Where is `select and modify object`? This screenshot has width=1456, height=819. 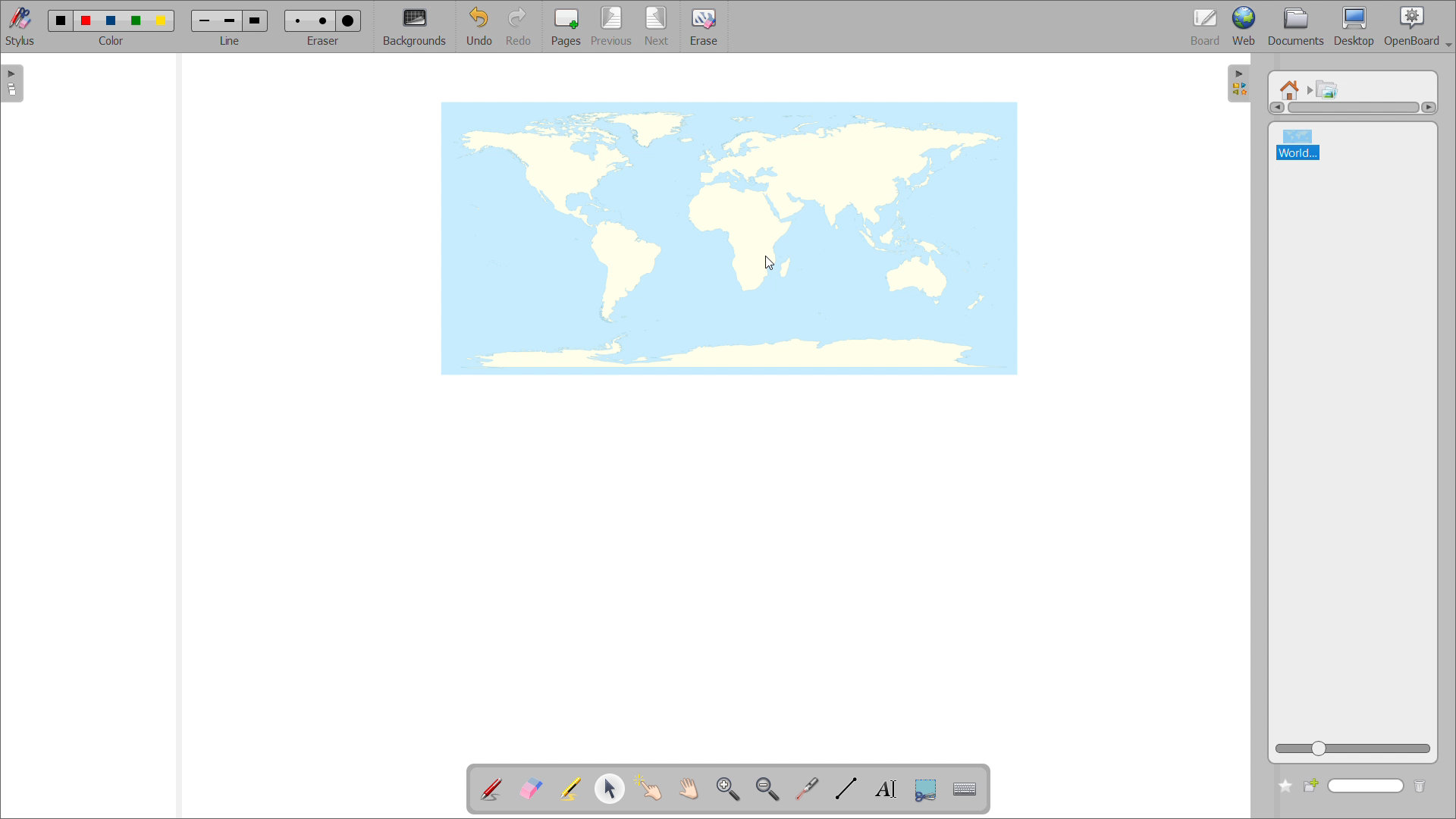
select and modify object is located at coordinates (609, 789).